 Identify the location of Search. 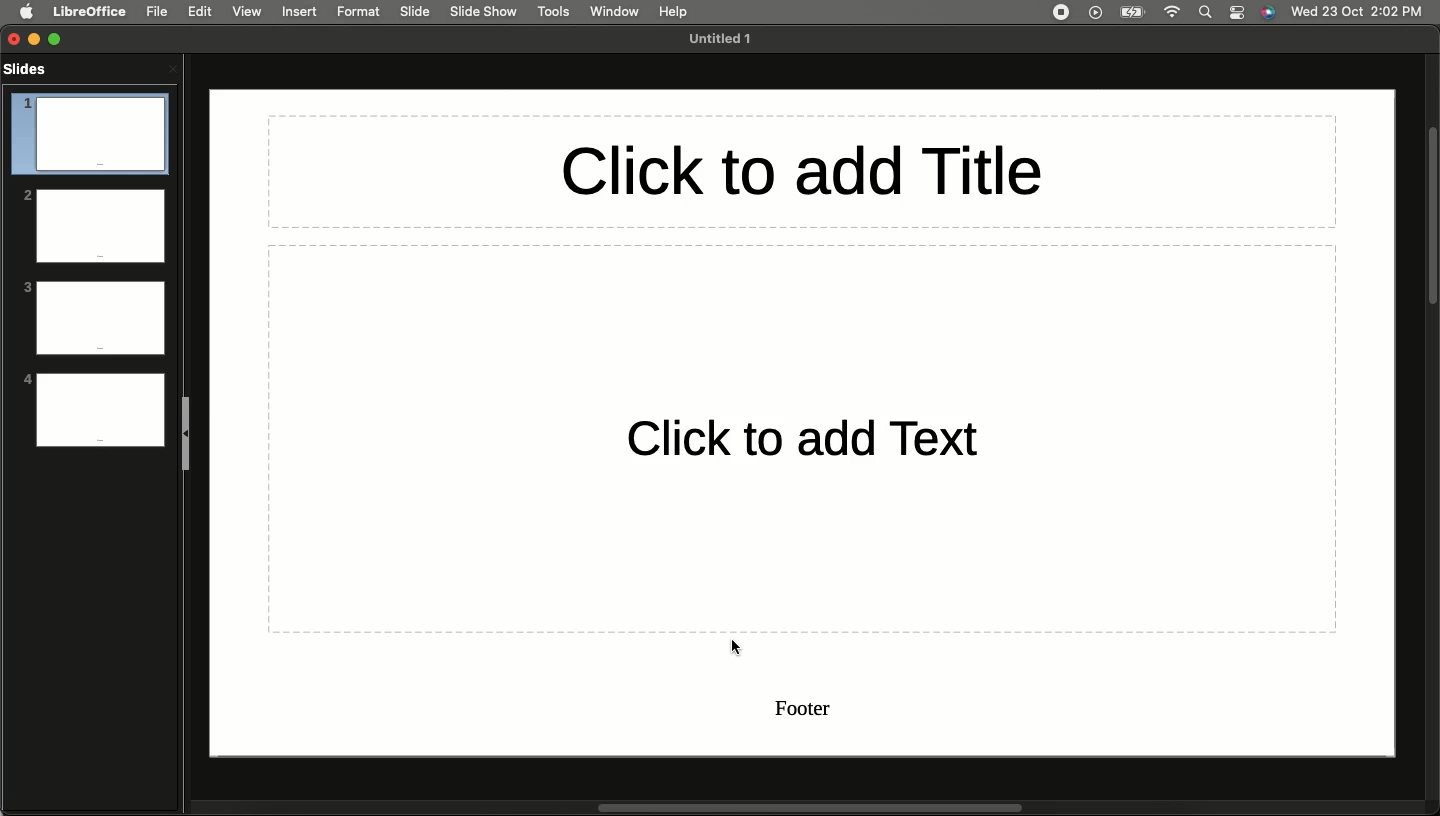
(1206, 12).